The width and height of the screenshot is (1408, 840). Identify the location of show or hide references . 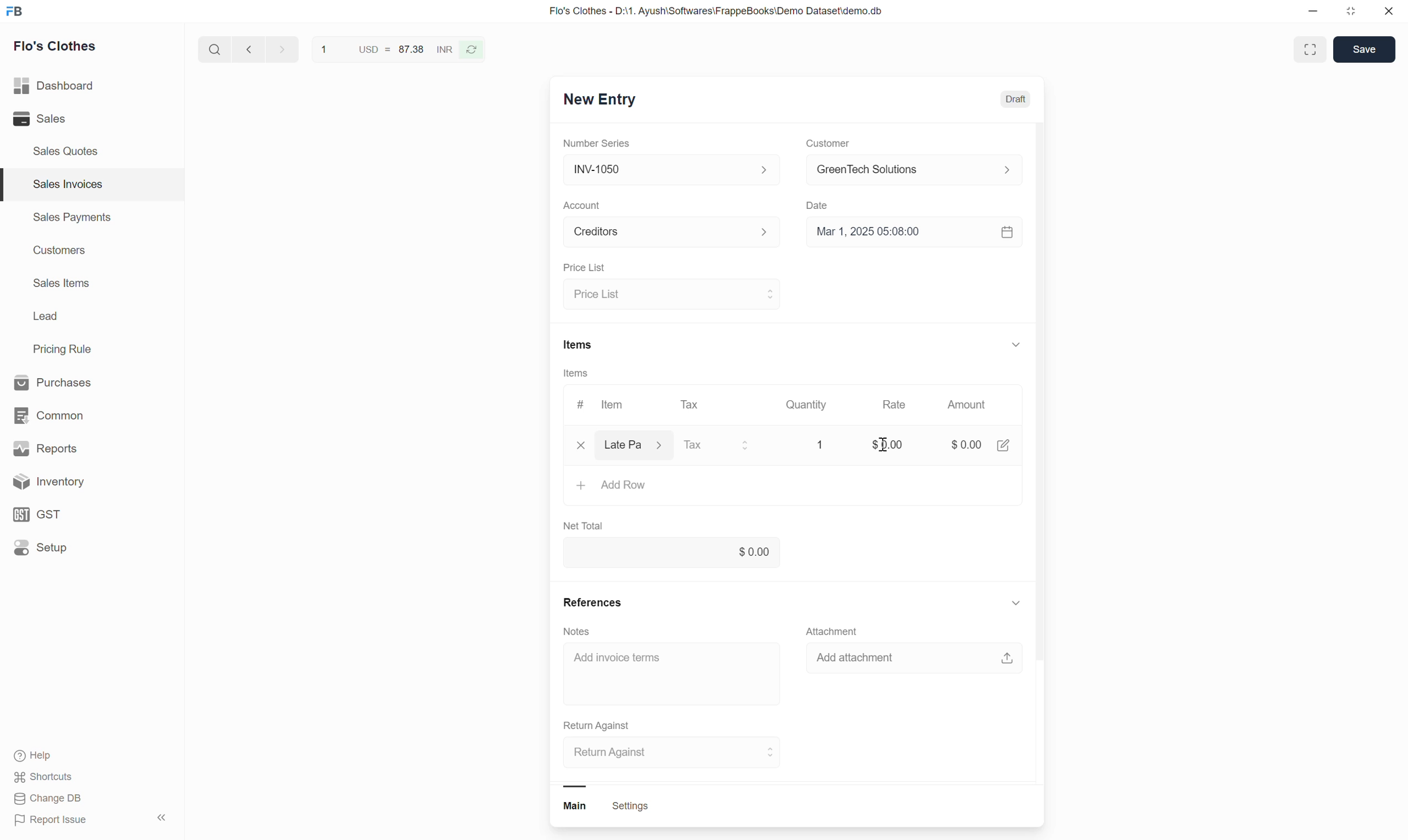
(1017, 606).